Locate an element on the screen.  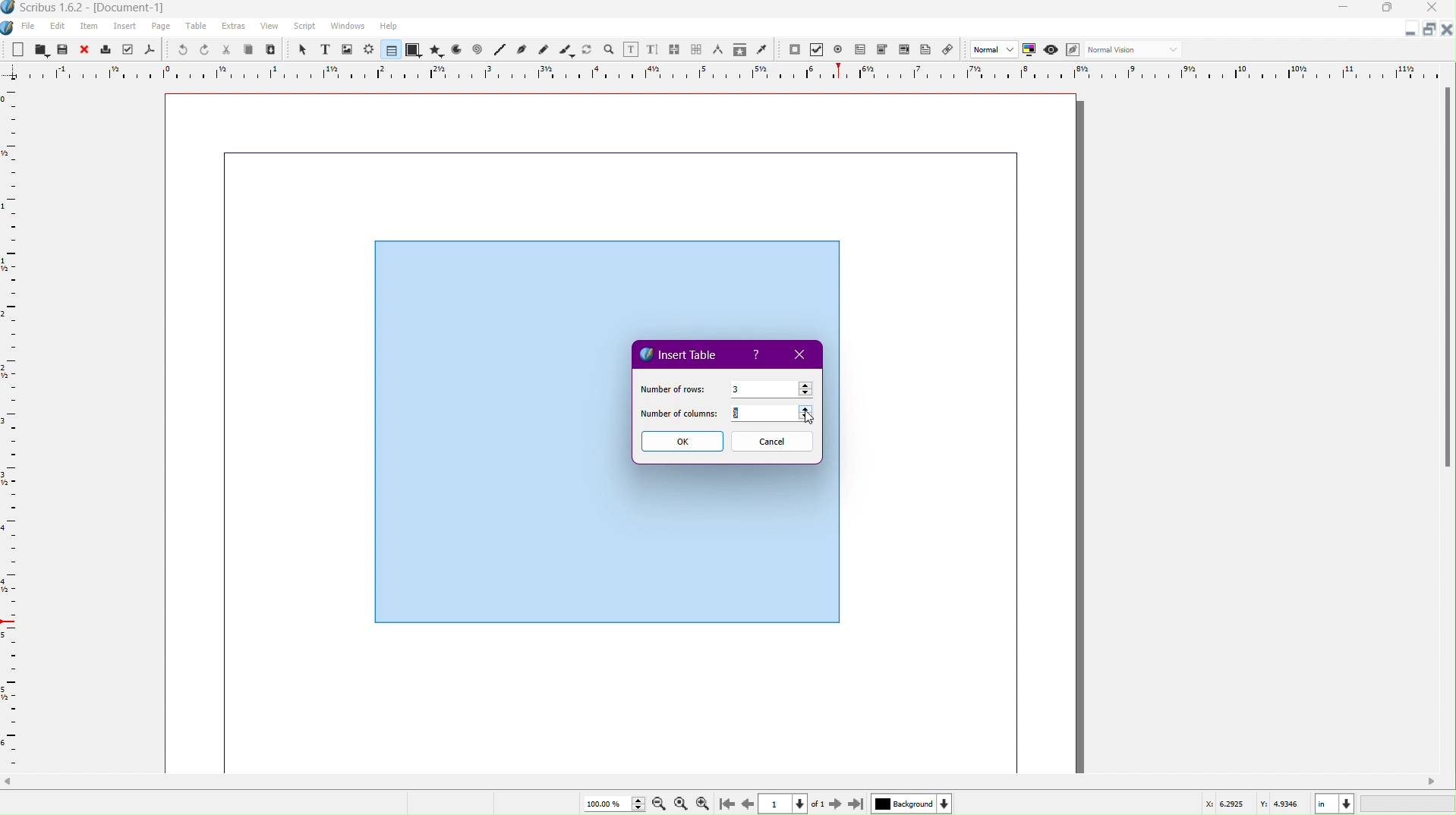
Toggle Color Management System is located at coordinates (1032, 52).